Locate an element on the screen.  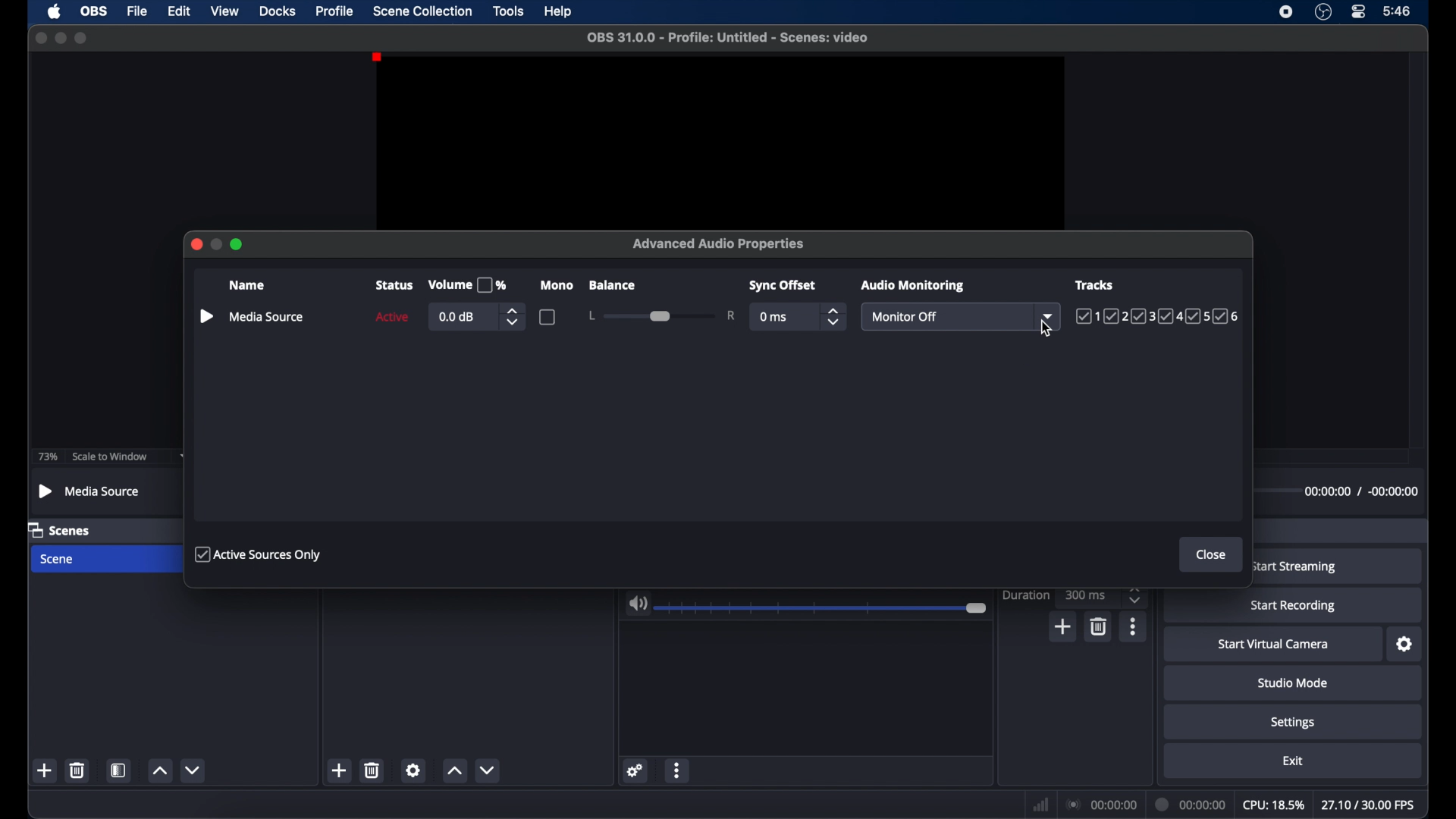
tracks is located at coordinates (1159, 317).